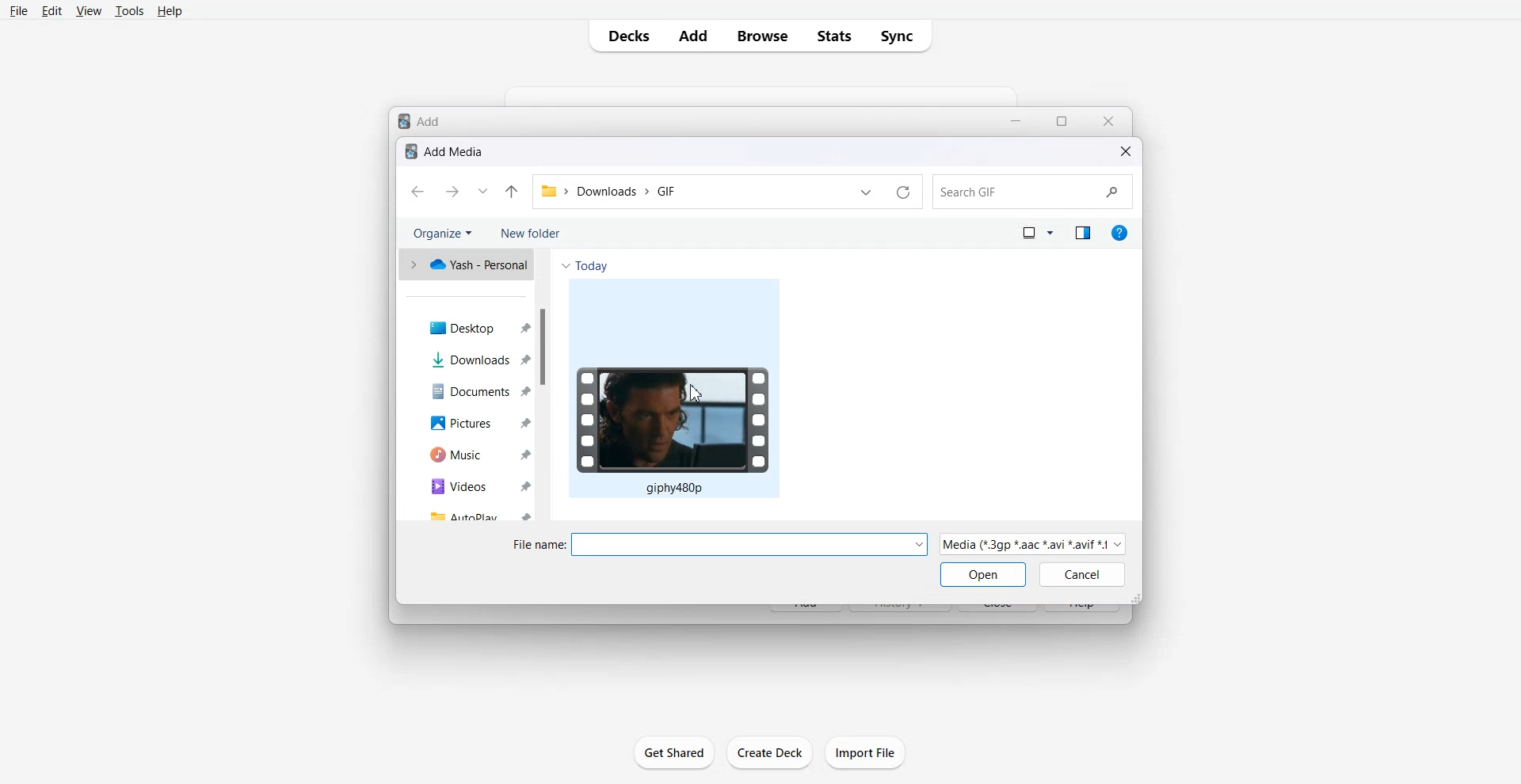 The height and width of the screenshot is (784, 1521). I want to click on create Deck, so click(770, 752).